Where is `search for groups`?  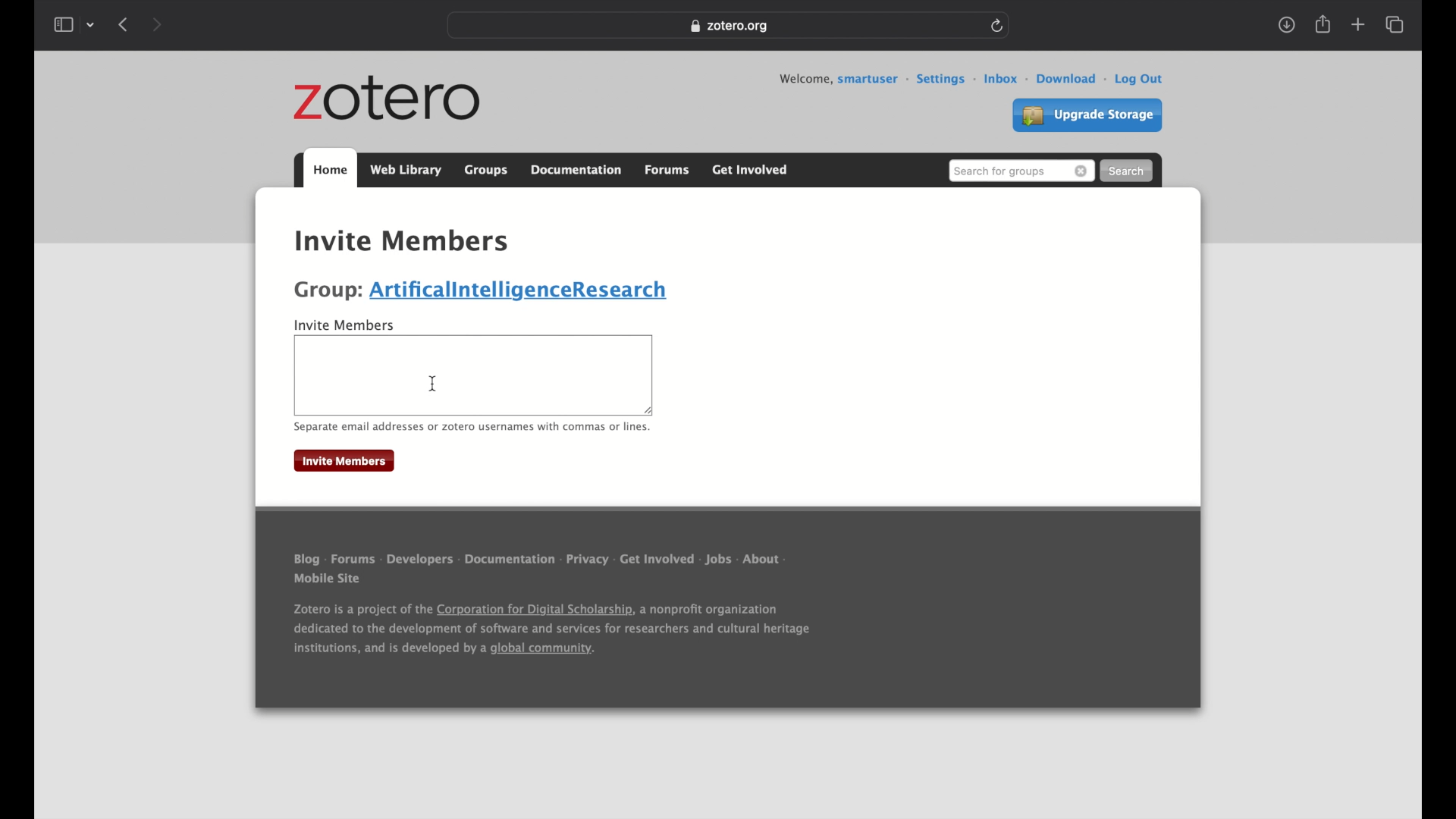 search for groups is located at coordinates (1021, 171).